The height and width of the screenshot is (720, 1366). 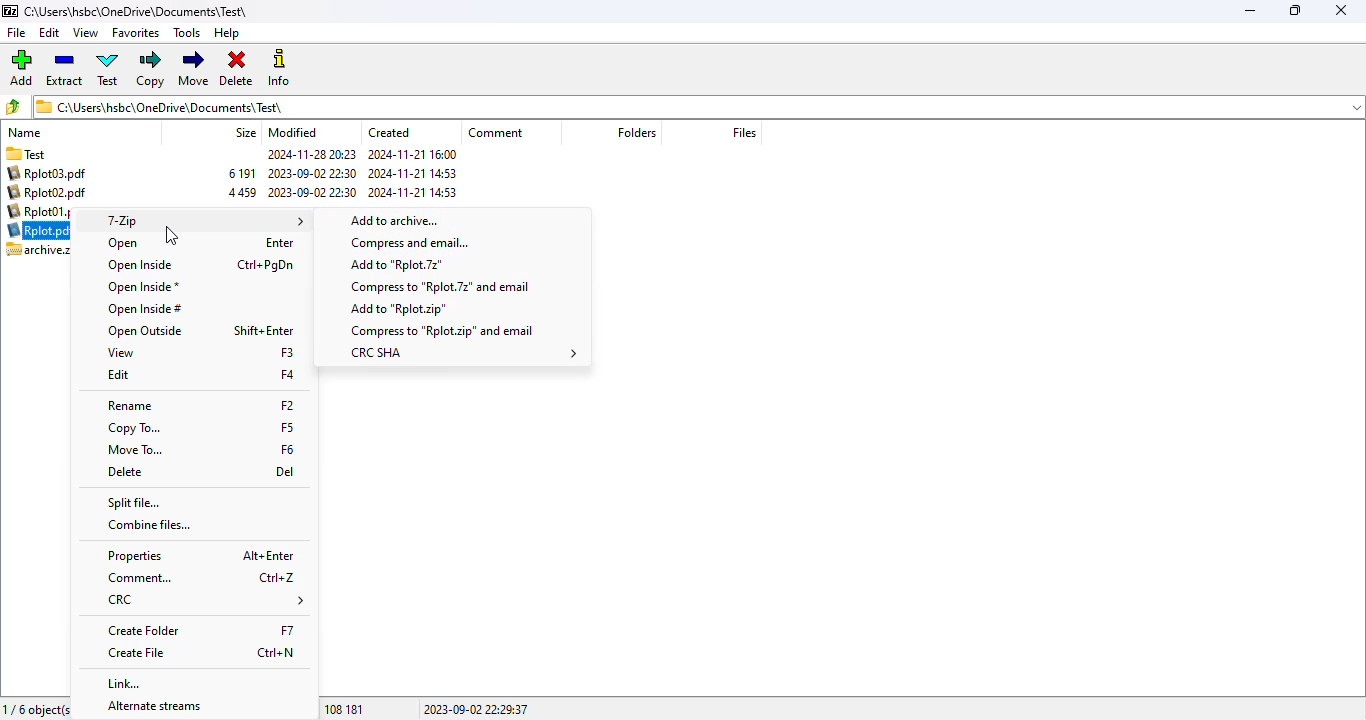 I want to click on modified date and time, so click(x=312, y=174).